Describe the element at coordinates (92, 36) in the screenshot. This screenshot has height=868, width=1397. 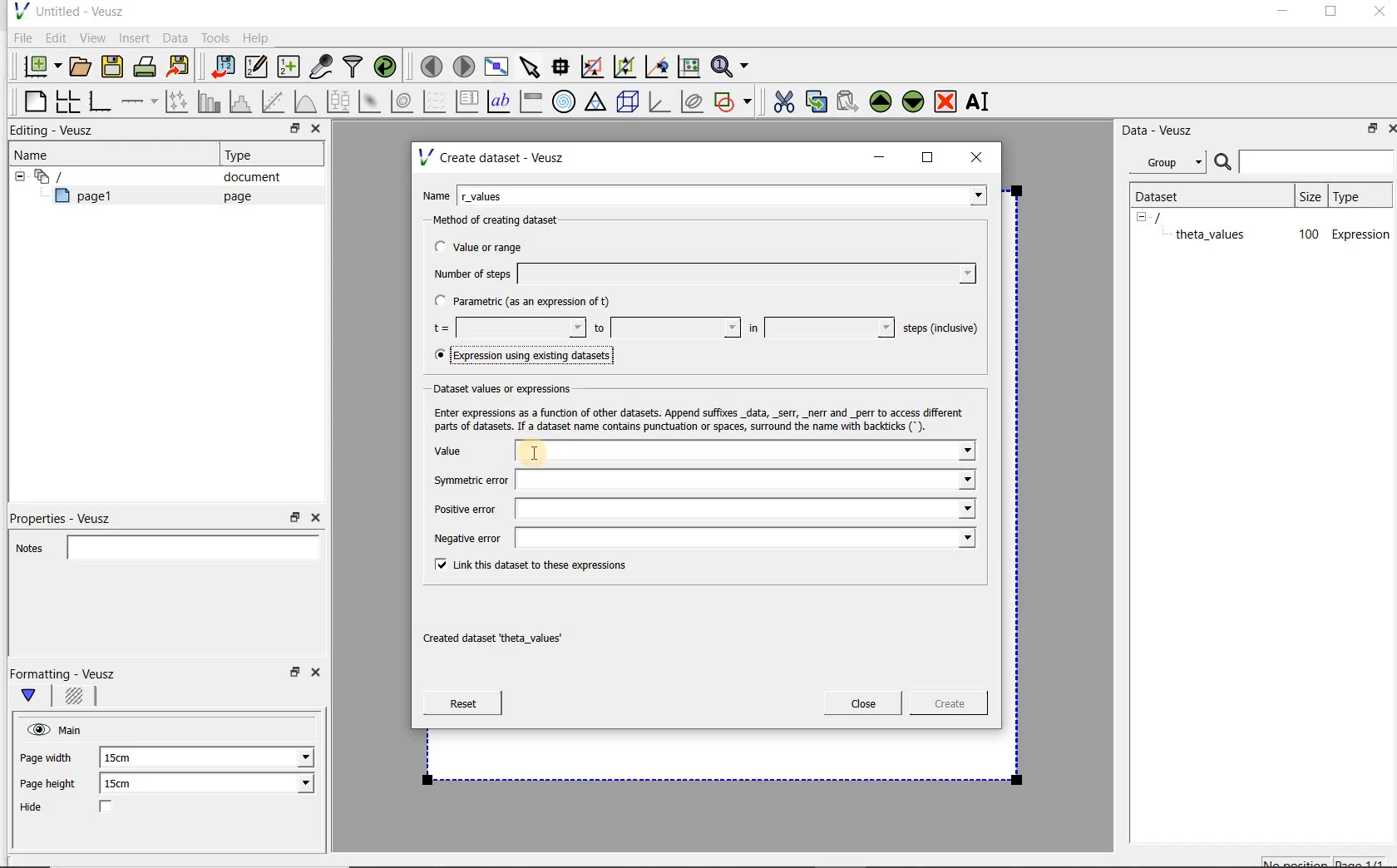
I see `View` at that location.